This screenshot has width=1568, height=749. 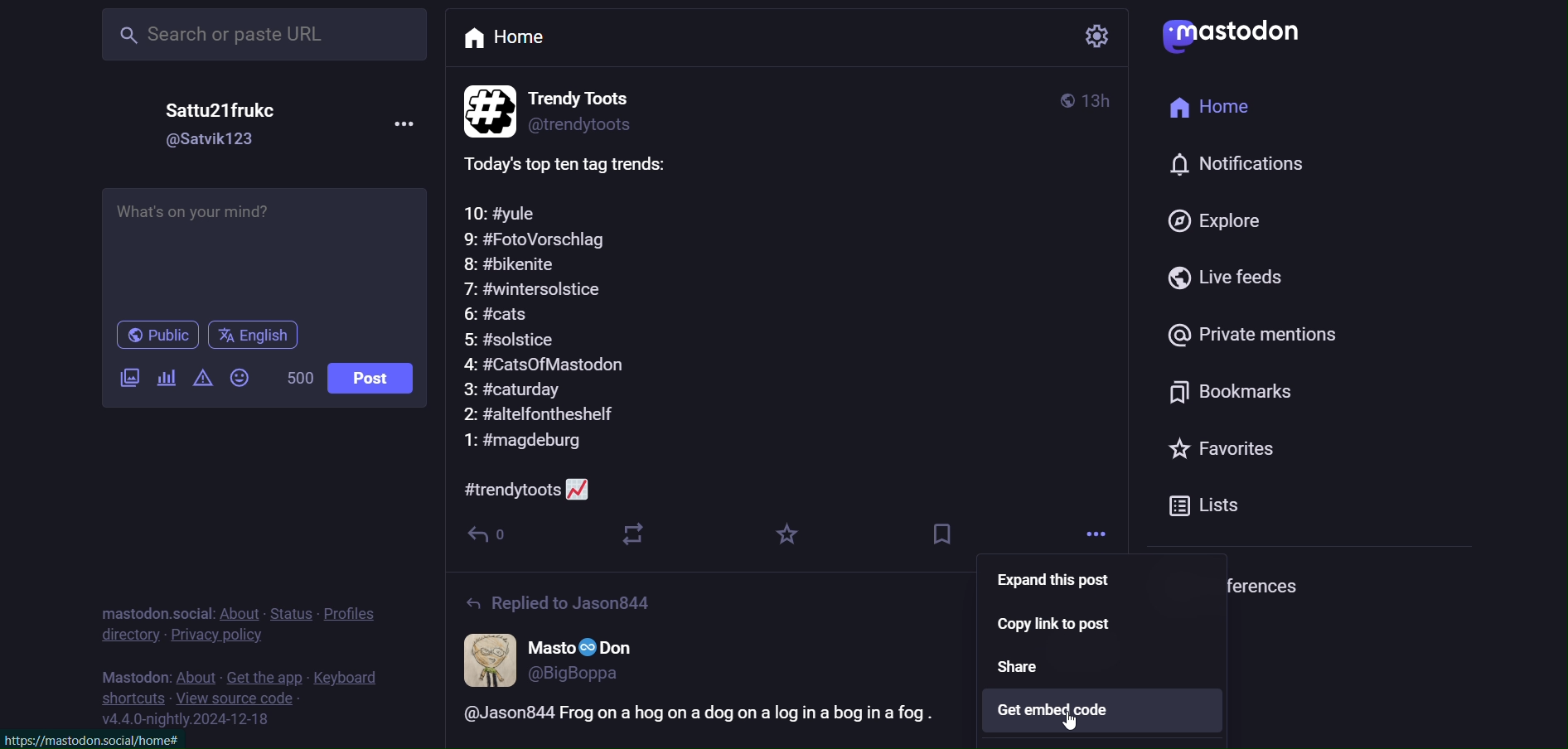 What do you see at coordinates (240, 610) in the screenshot?
I see `about` at bounding box center [240, 610].